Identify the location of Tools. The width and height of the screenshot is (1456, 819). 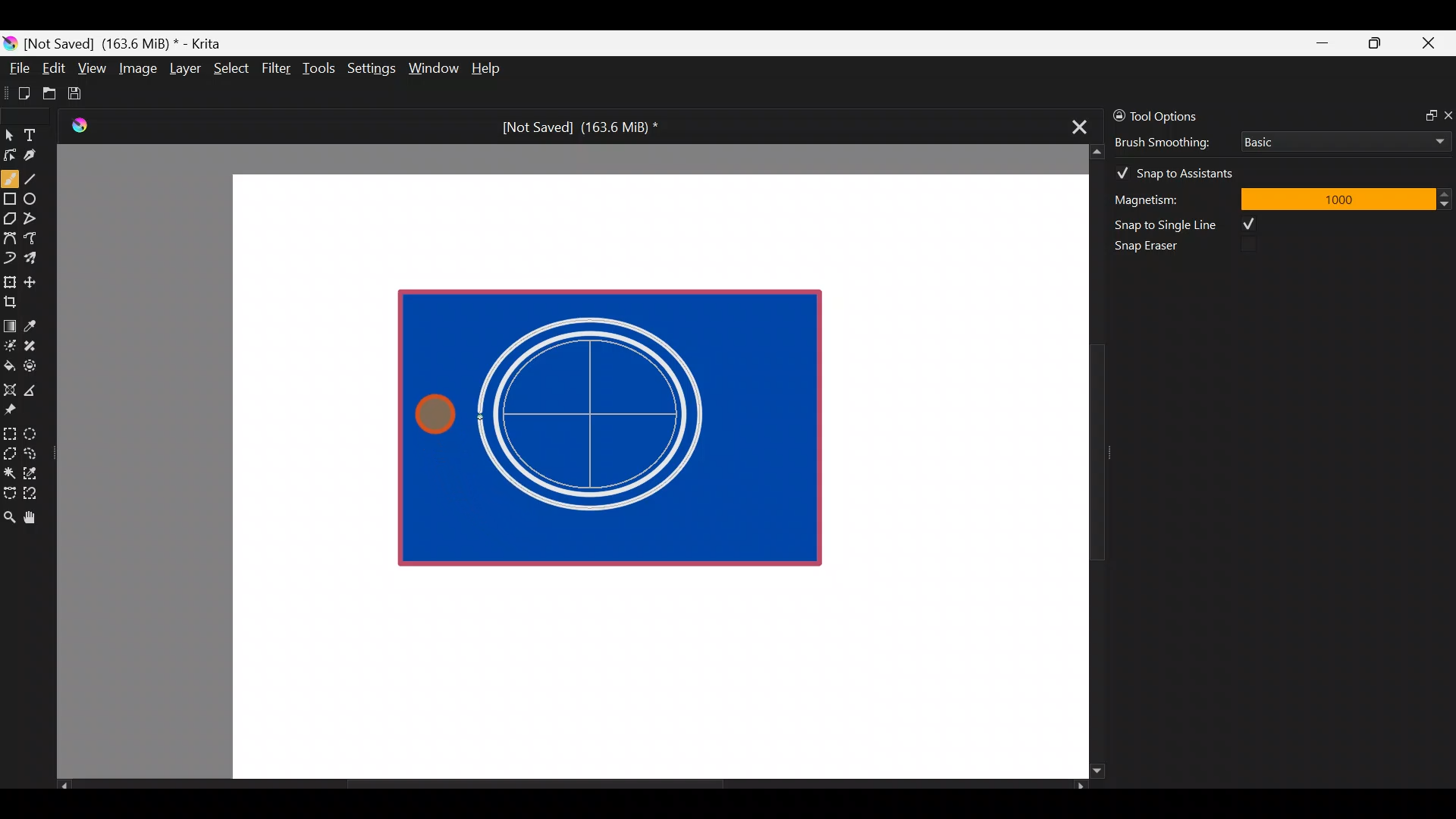
(322, 69).